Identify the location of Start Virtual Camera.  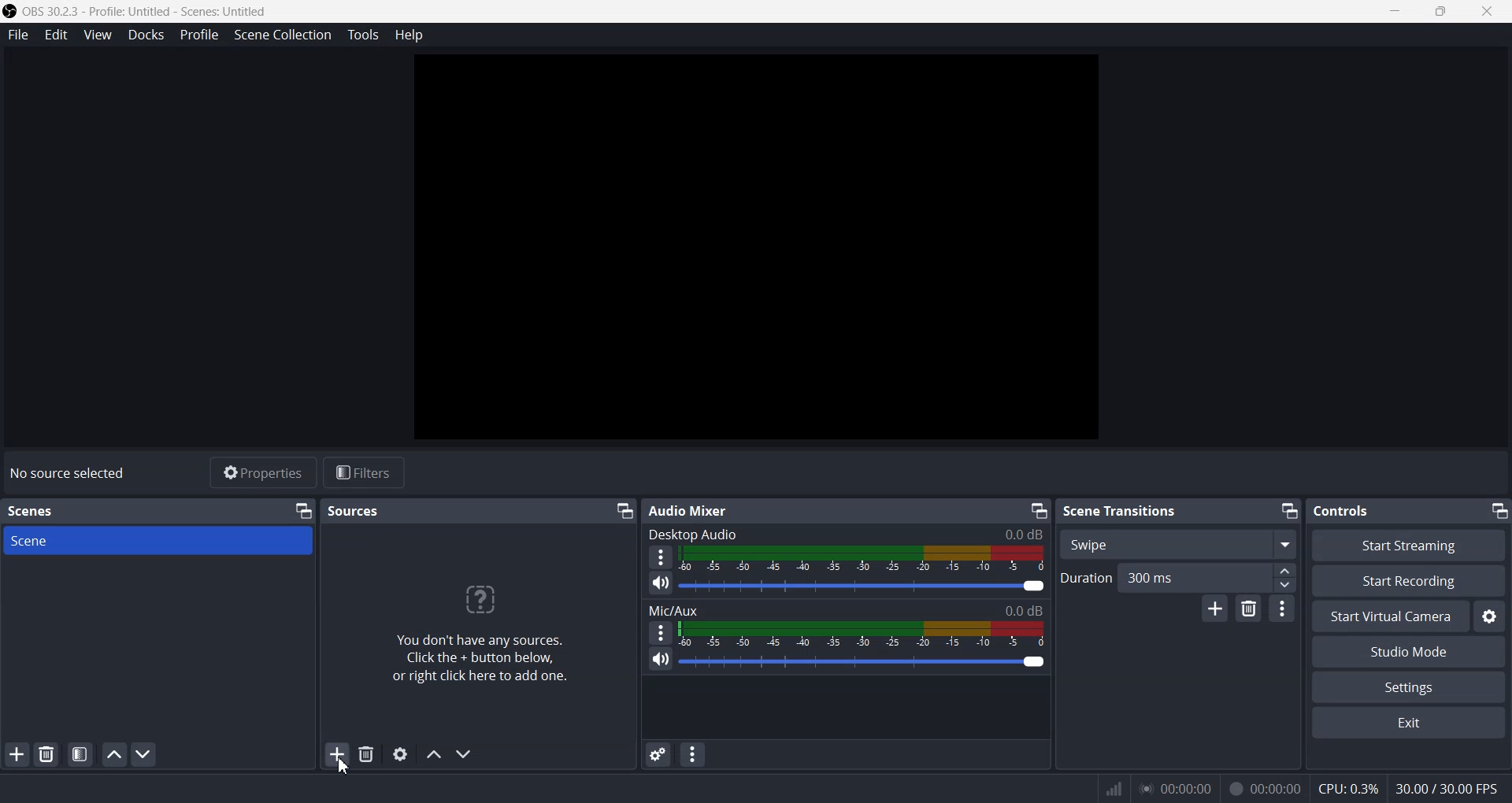
(1390, 616).